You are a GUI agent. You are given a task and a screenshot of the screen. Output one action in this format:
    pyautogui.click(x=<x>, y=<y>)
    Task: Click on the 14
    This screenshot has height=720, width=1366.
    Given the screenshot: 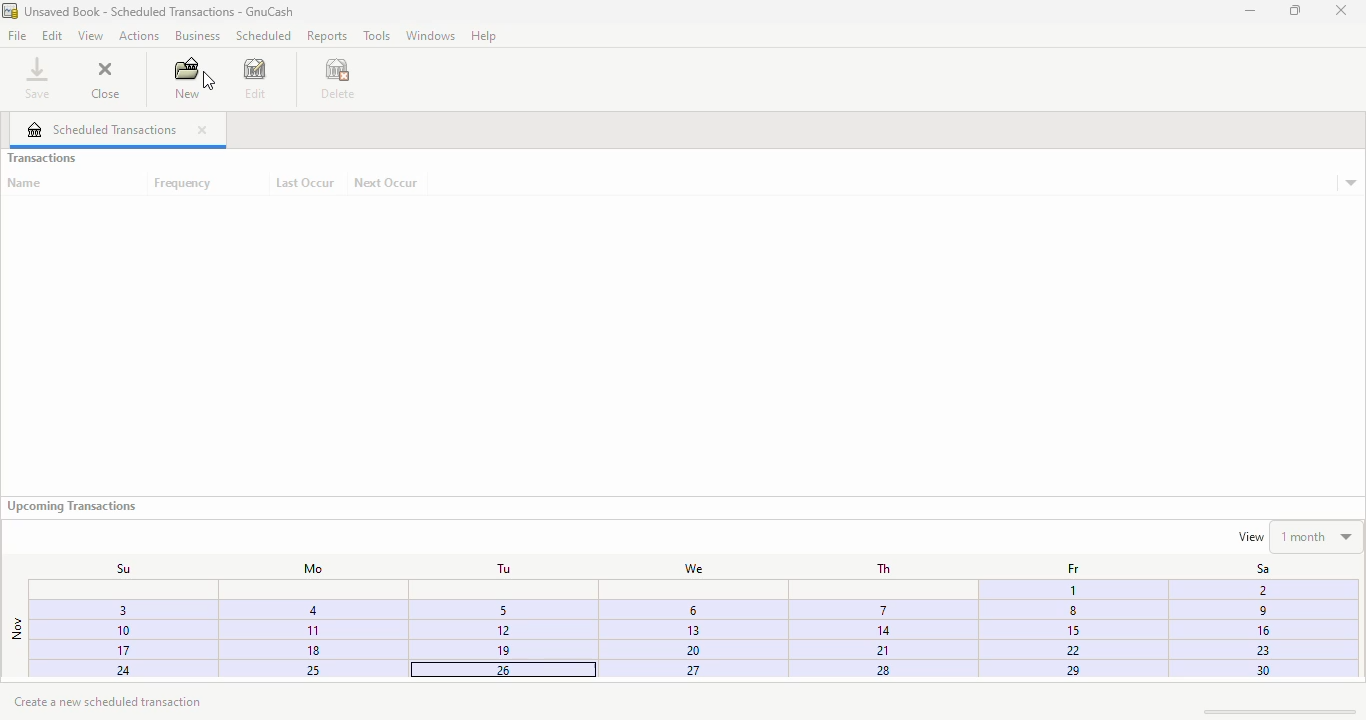 What is the action you would take?
    pyautogui.click(x=881, y=632)
    